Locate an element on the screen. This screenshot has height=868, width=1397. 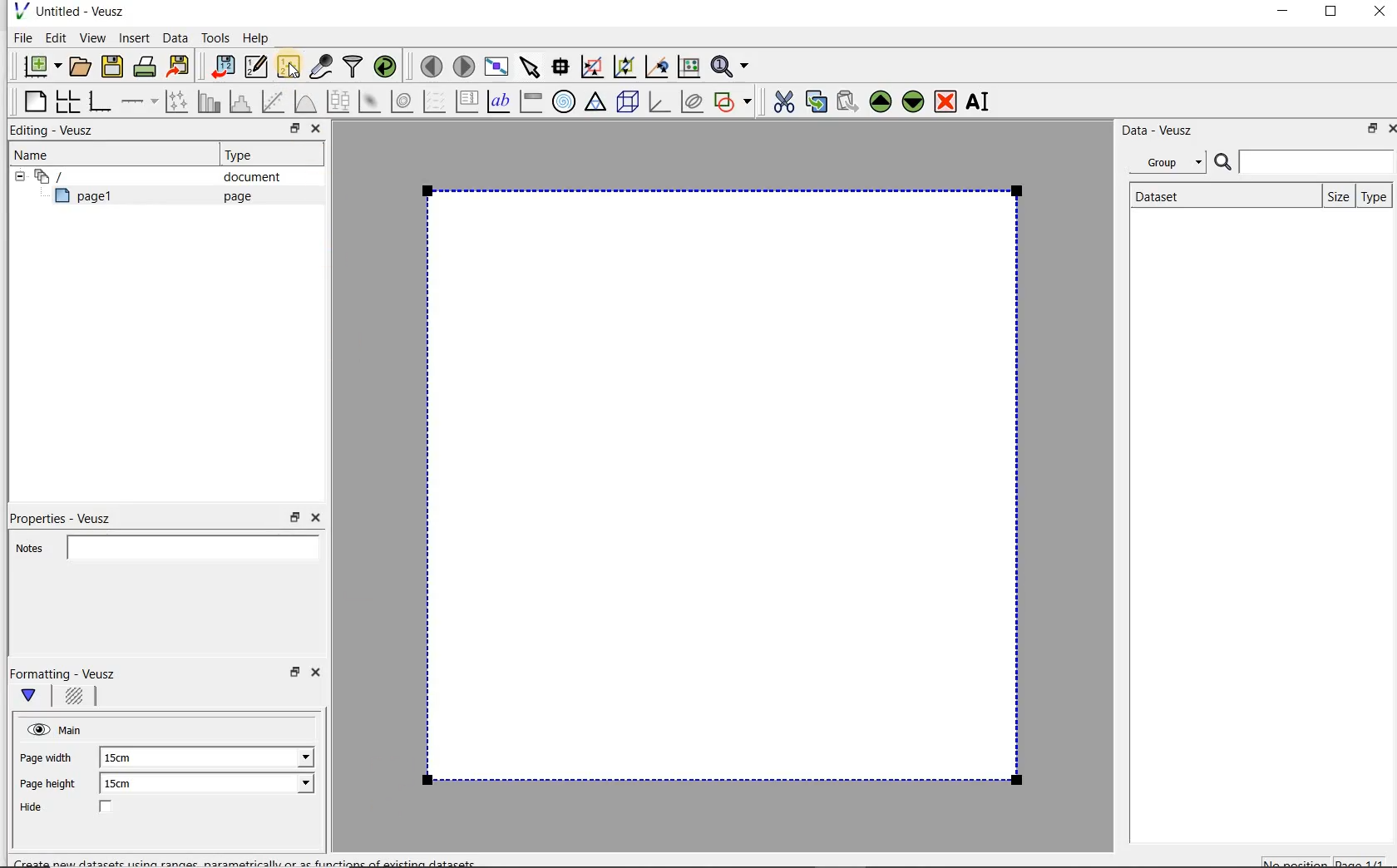
Data - Veusz is located at coordinates (1163, 130).